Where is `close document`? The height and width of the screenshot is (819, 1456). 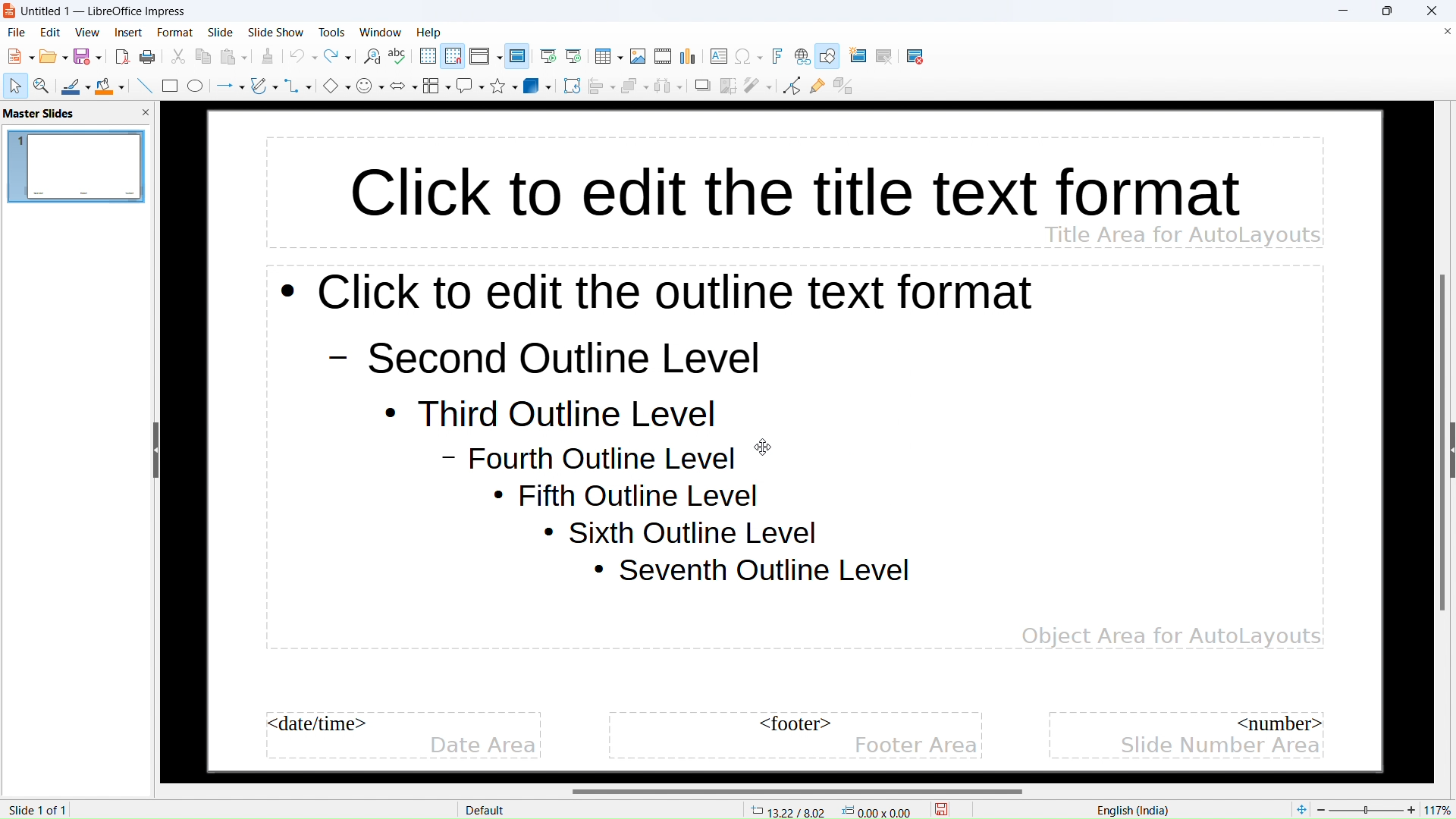
close document is located at coordinates (1446, 31).